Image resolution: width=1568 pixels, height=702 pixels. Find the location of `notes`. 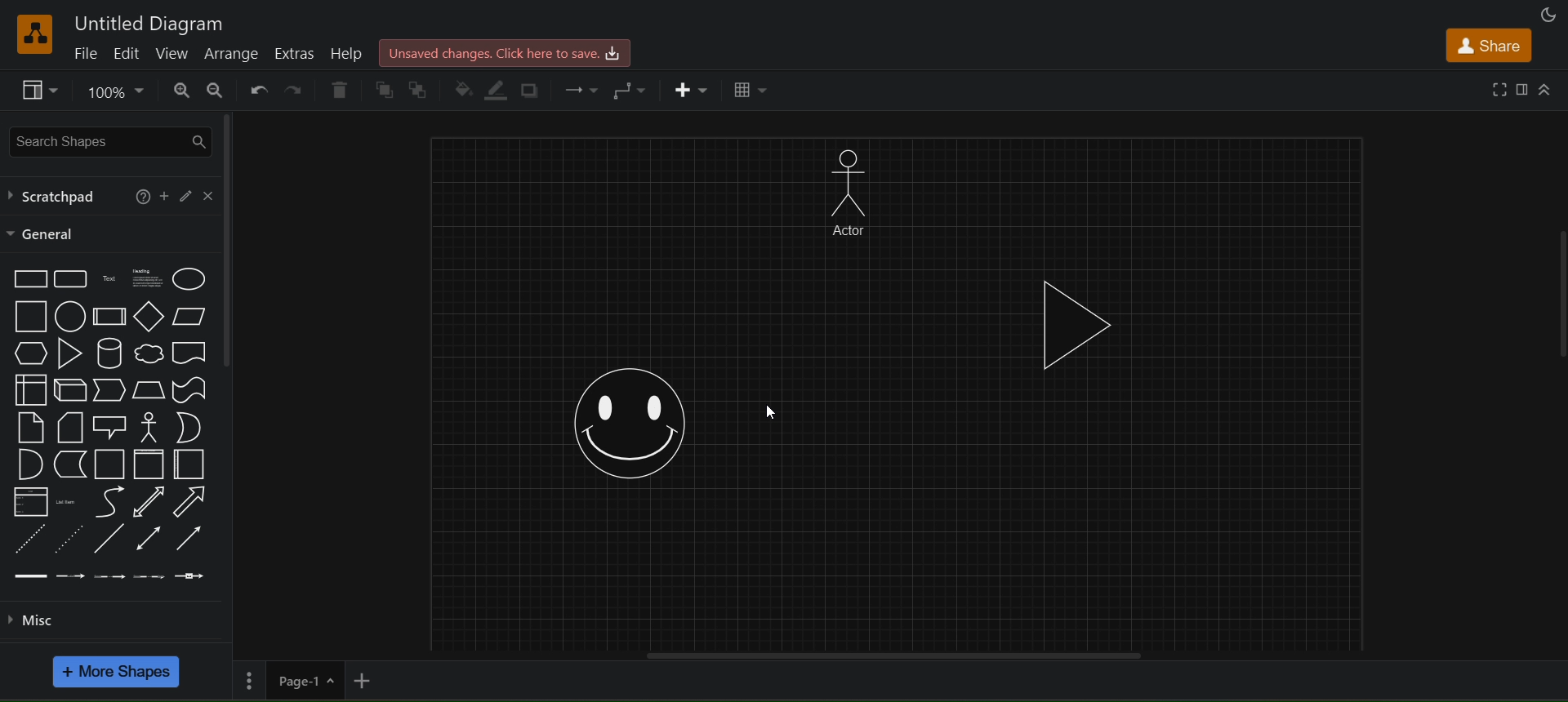

notes is located at coordinates (26, 426).